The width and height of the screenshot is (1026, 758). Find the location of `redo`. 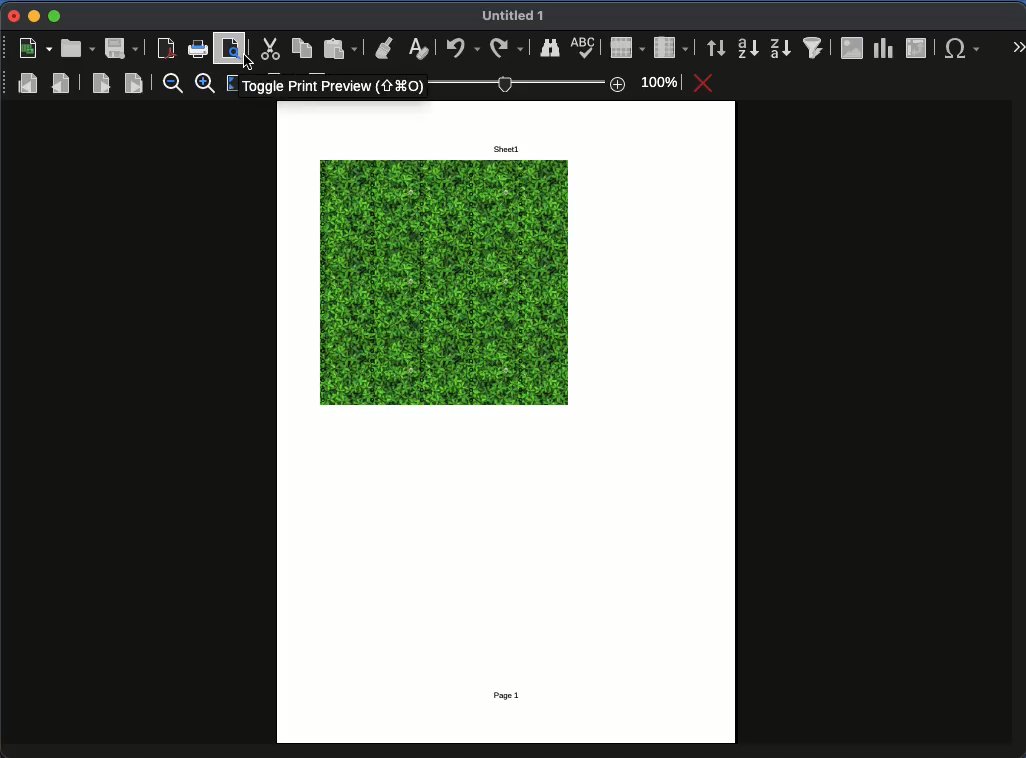

redo is located at coordinates (506, 46).